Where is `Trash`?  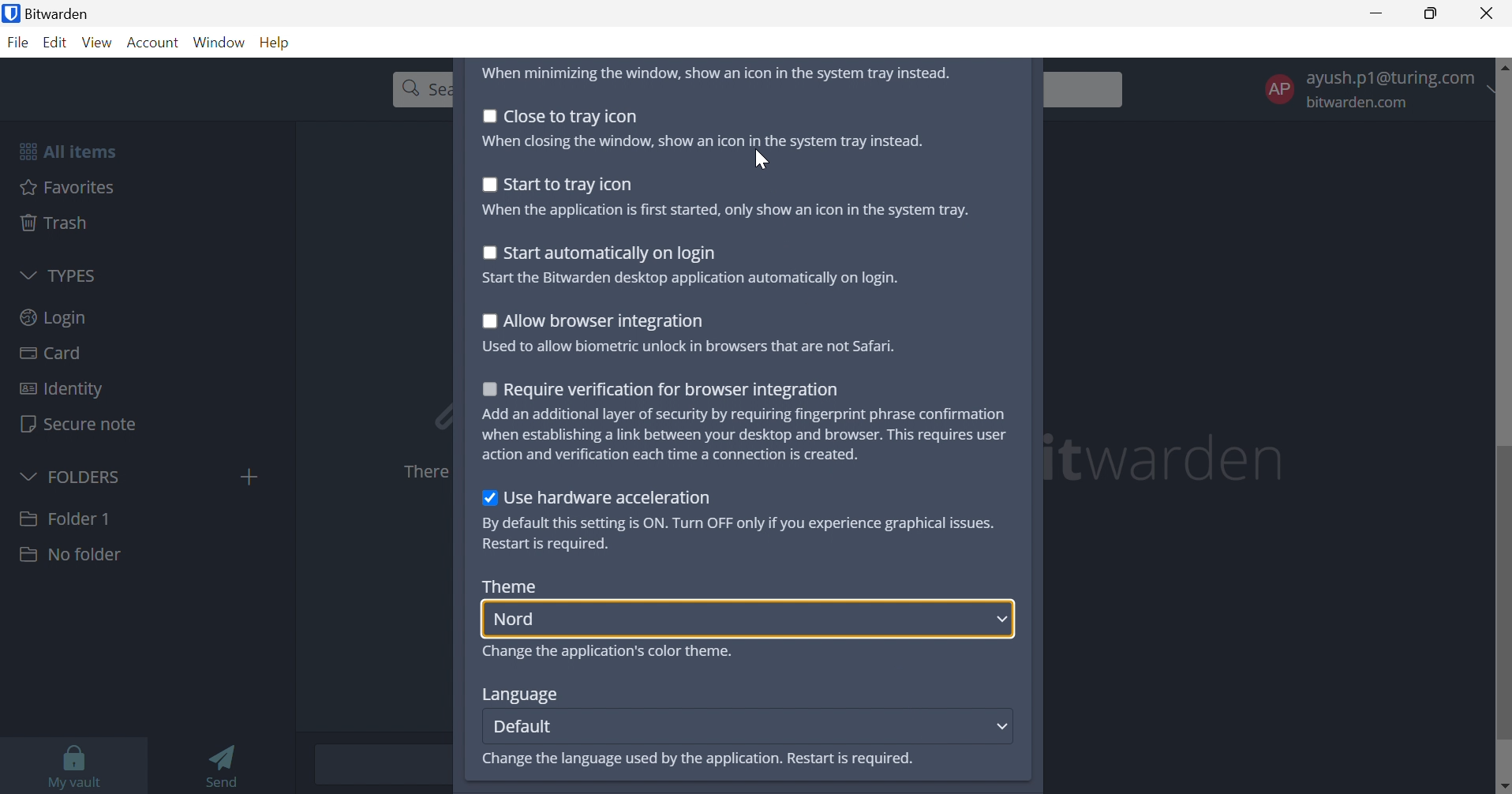
Trash is located at coordinates (56, 223).